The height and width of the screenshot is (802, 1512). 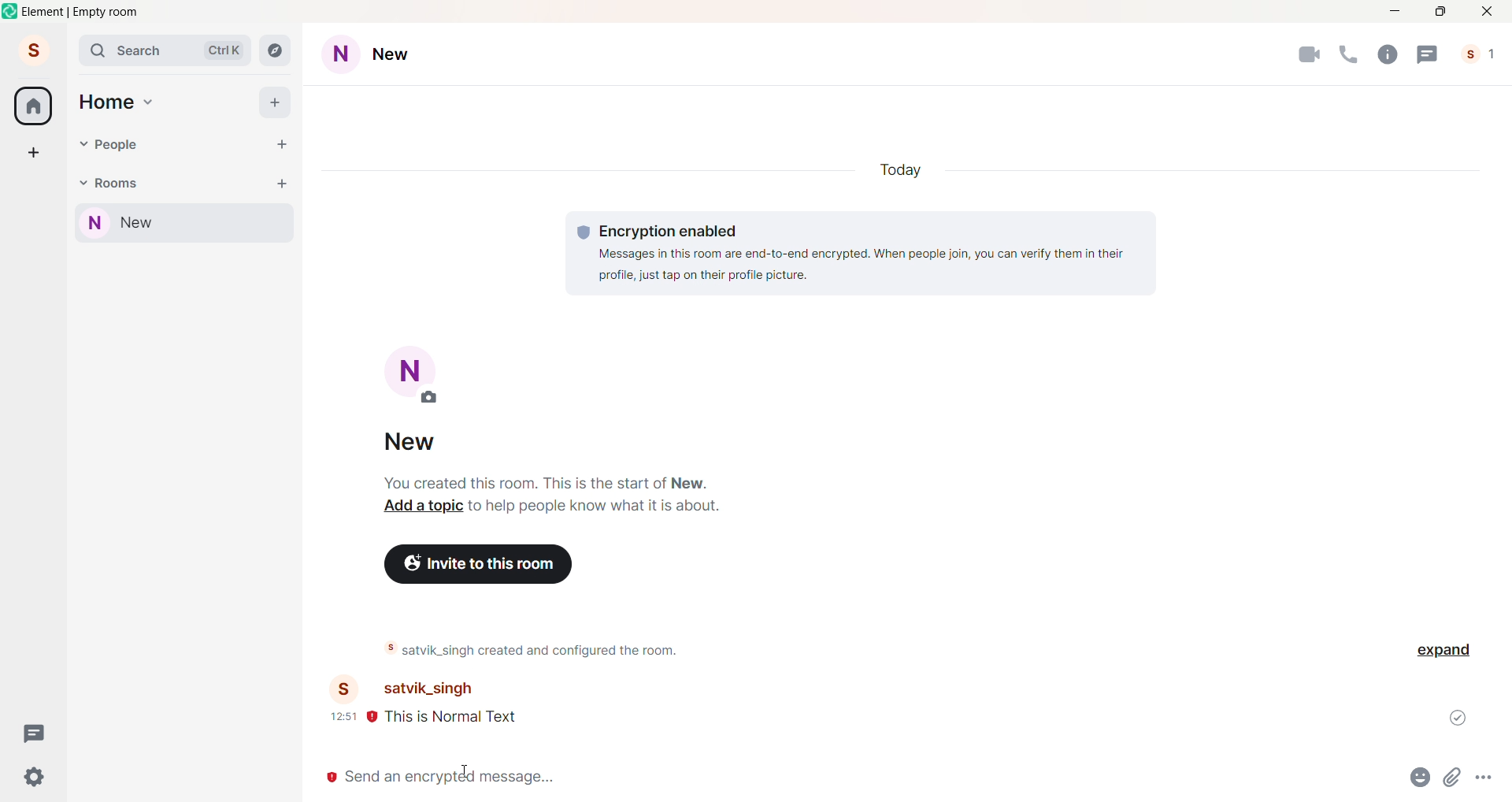 I want to click on Audio Call, so click(x=1346, y=54).